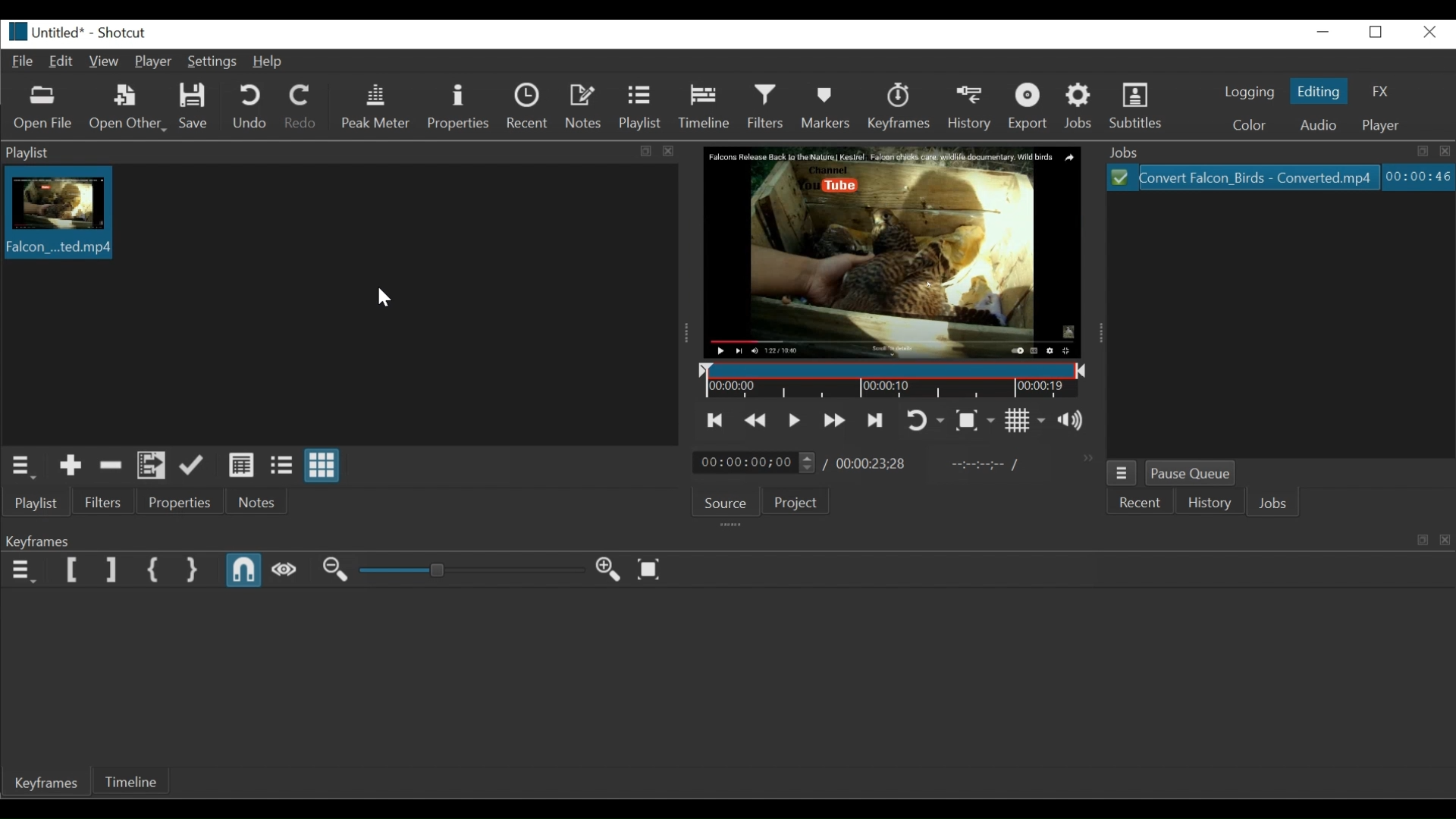 Image resolution: width=1456 pixels, height=819 pixels. What do you see at coordinates (42, 31) in the screenshot?
I see `File name` at bounding box center [42, 31].